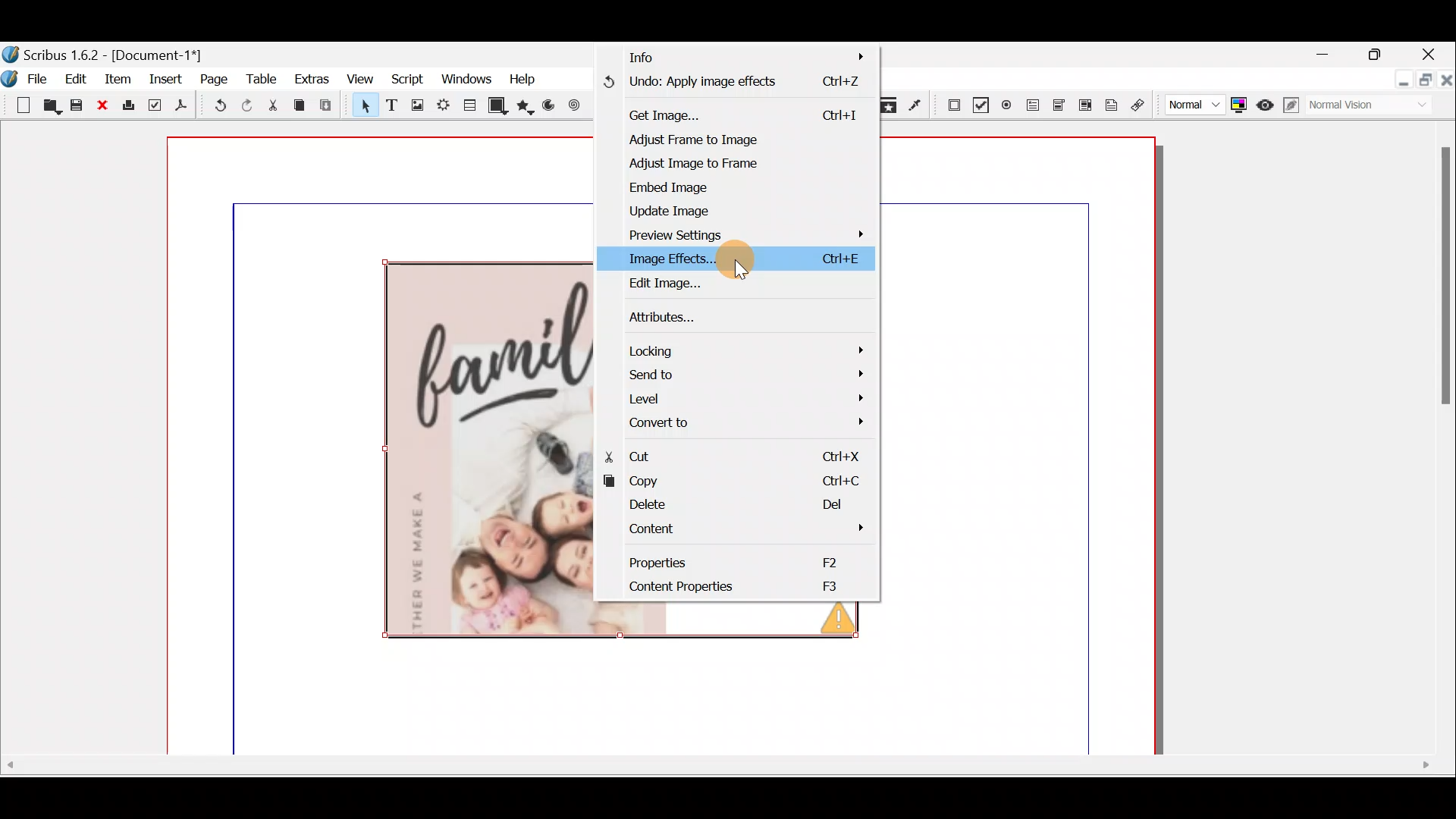  I want to click on Edit, so click(77, 78).